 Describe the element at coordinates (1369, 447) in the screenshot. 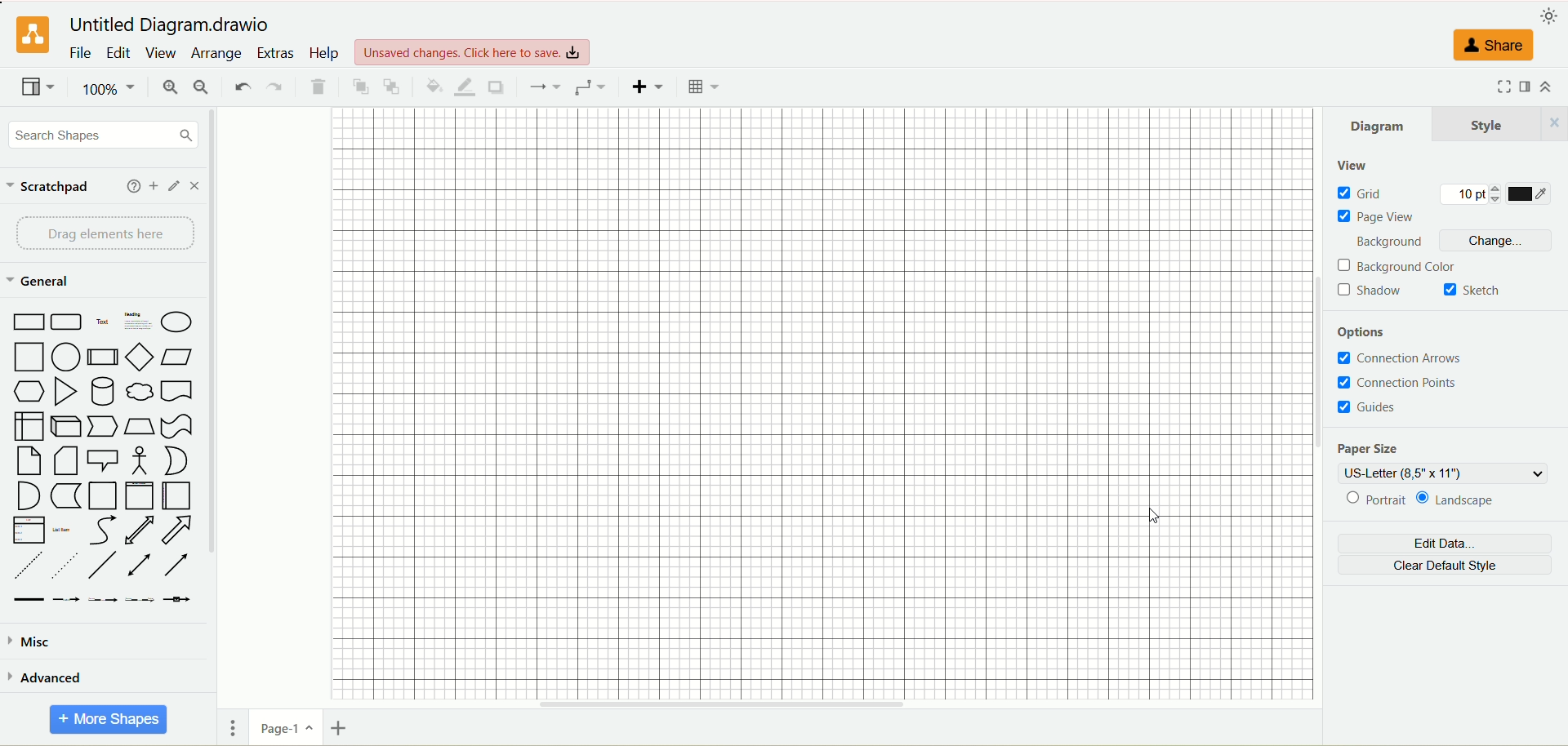

I see `paper size` at that location.